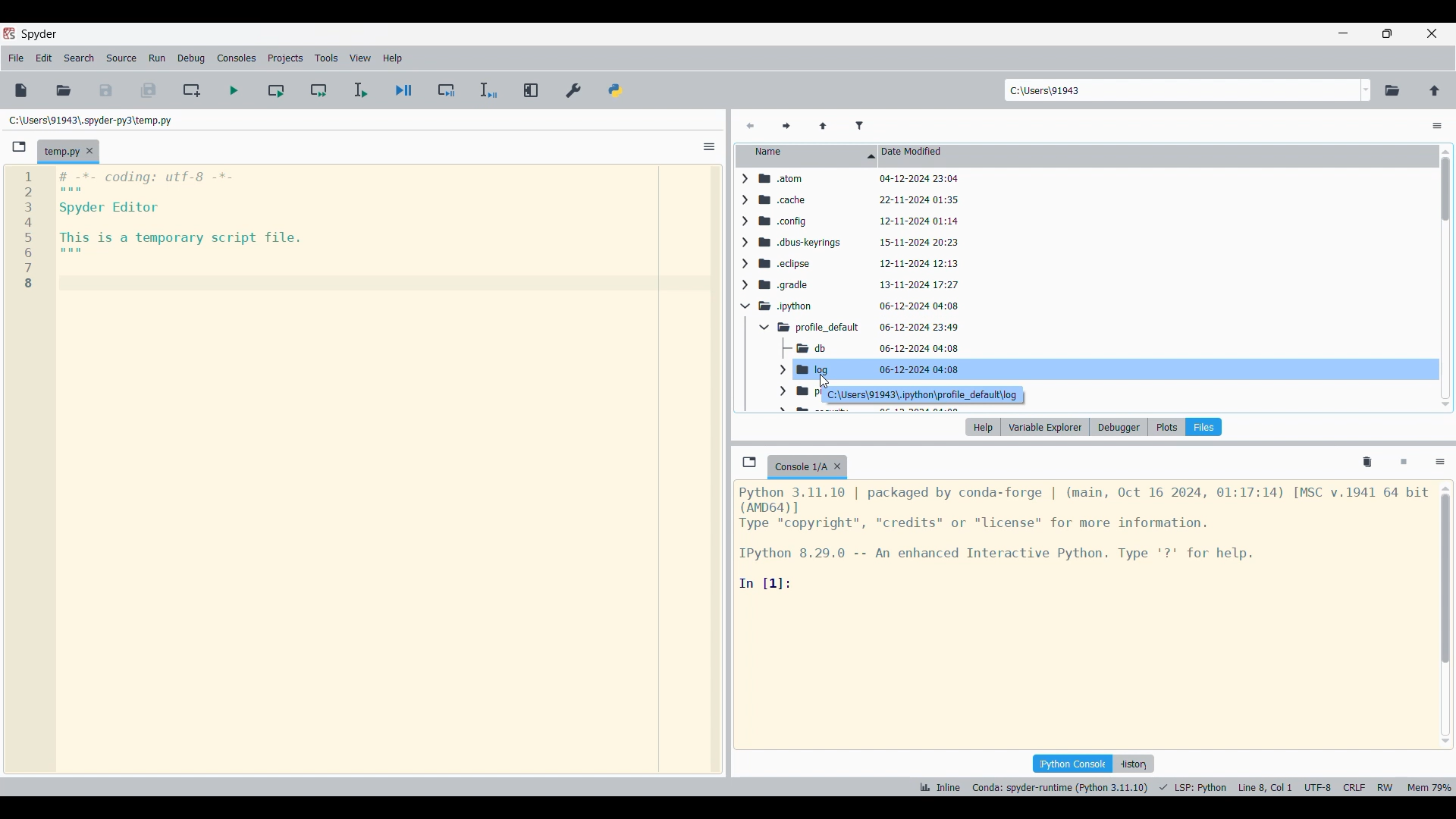 The width and height of the screenshot is (1456, 819). What do you see at coordinates (360, 58) in the screenshot?
I see `View menu` at bounding box center [360, 58].